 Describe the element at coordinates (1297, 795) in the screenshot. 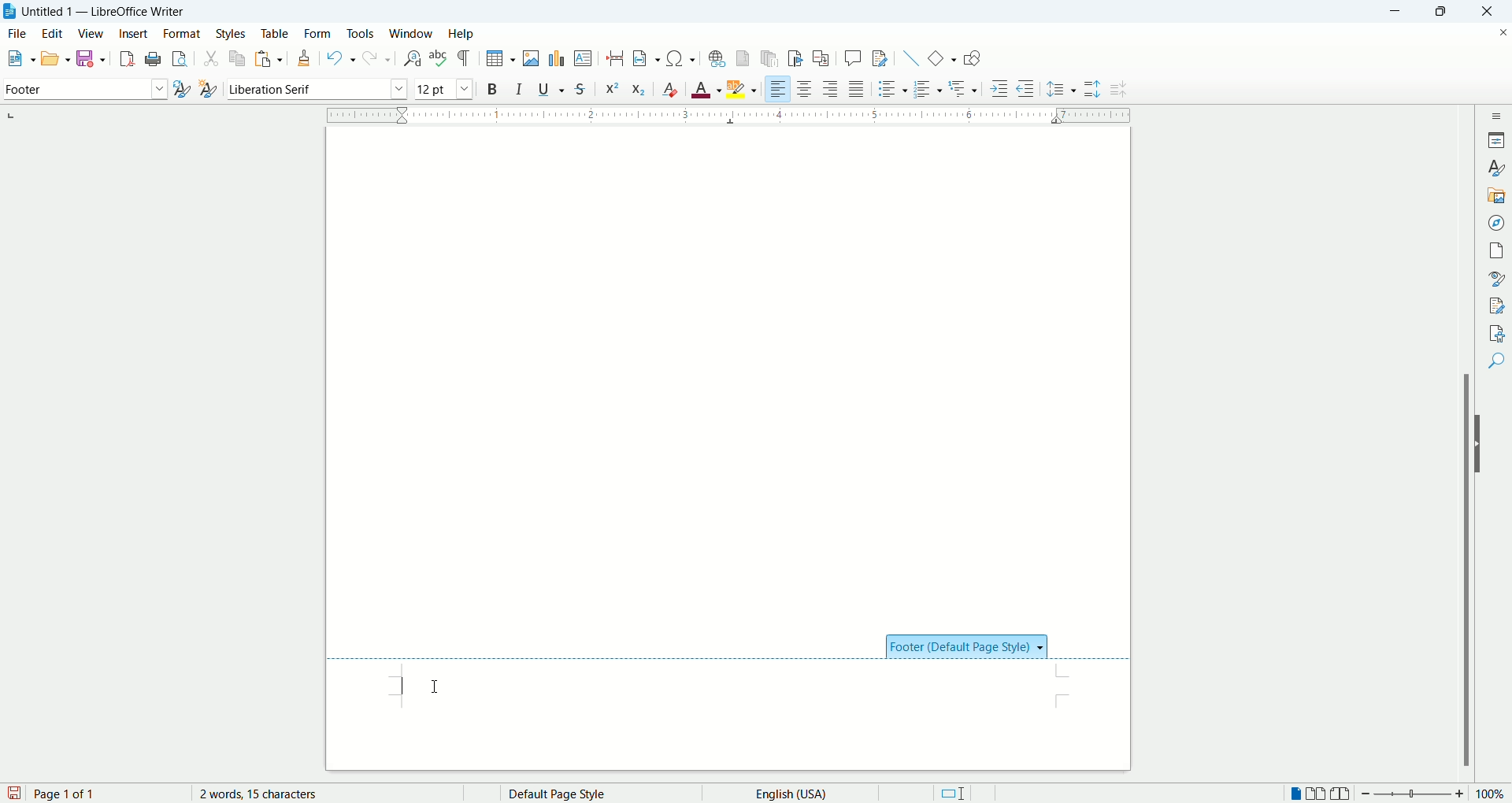

I see `single page view` at that location.